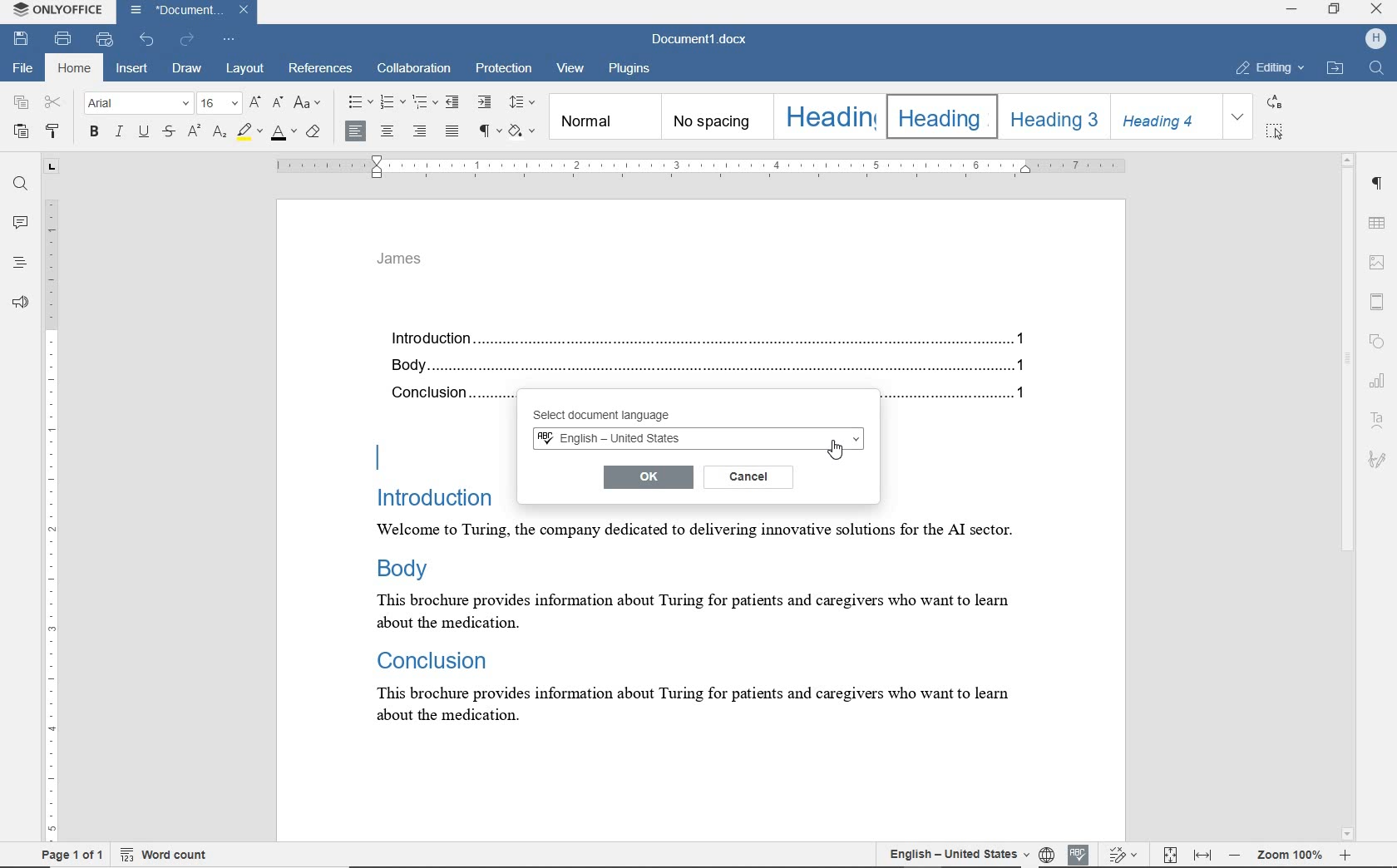 This screenshot has width=1397, height=868. What do you see at coordinates (310, 104) in the screenshot?
I see `change case` at bounding box center [310, 104].